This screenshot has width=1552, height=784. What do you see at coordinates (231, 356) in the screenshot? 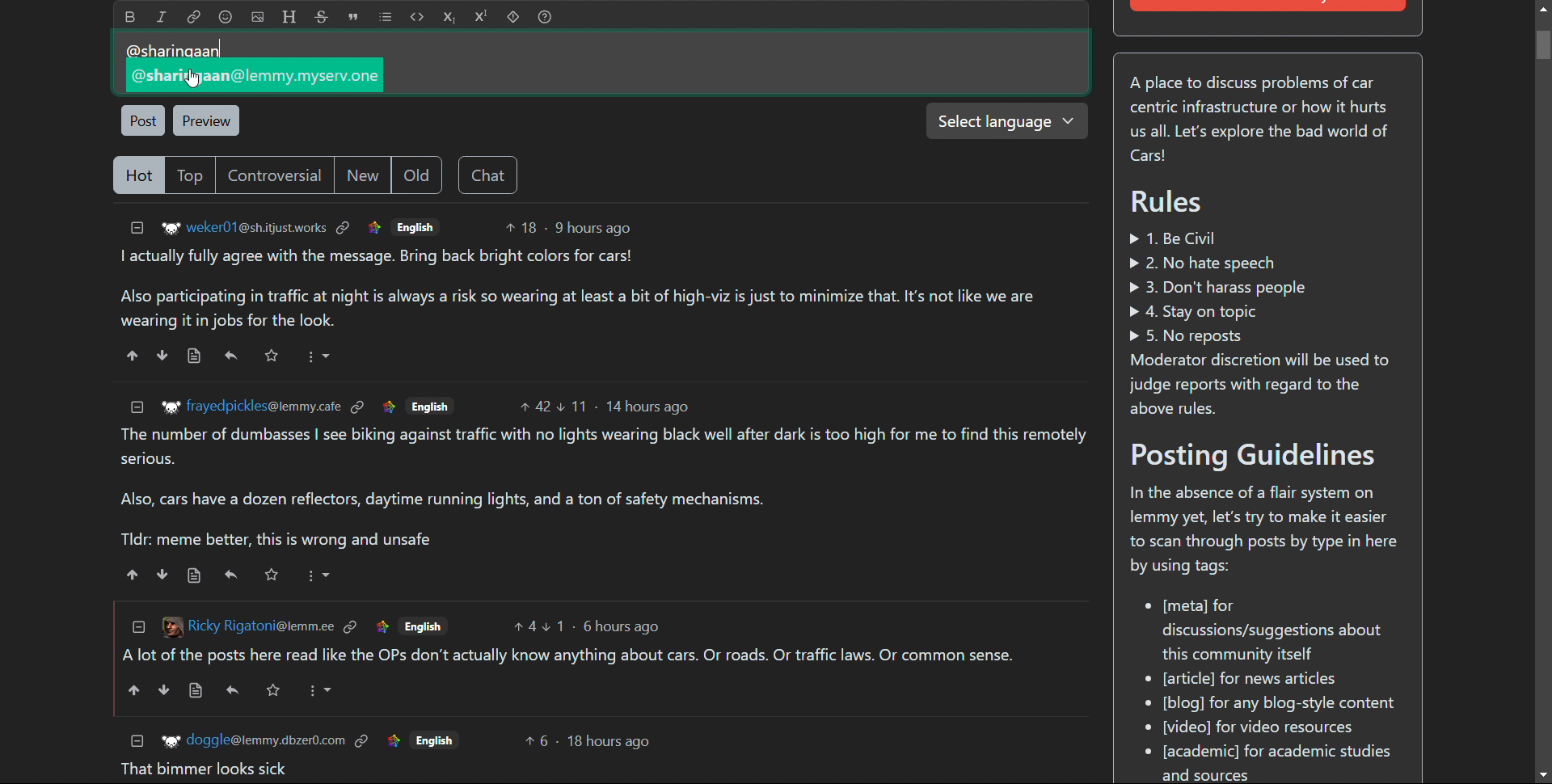
I see `reply` at bounding box center [231, 356].